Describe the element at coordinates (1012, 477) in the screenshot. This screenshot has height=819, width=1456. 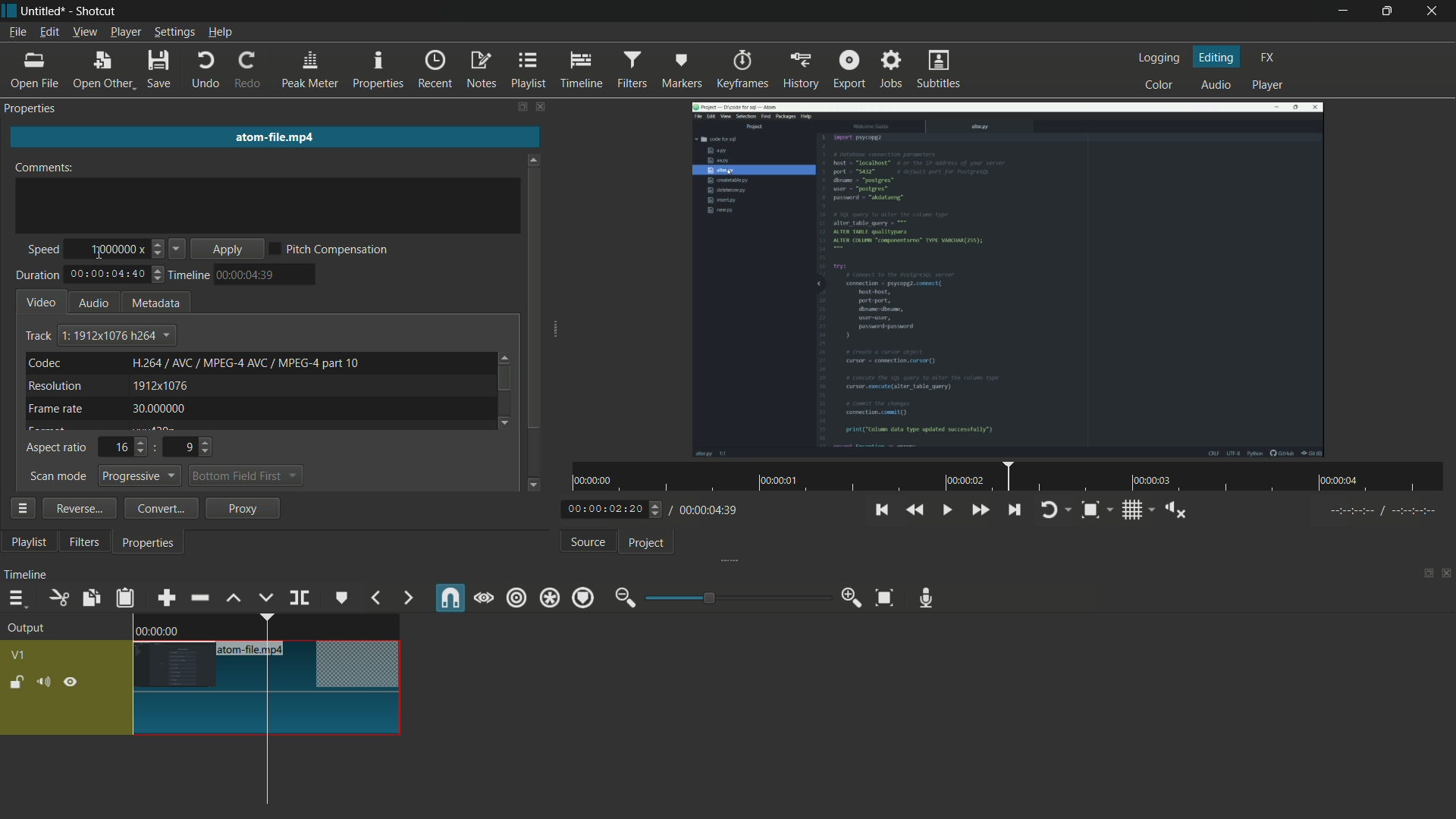
I see `time` at that location.